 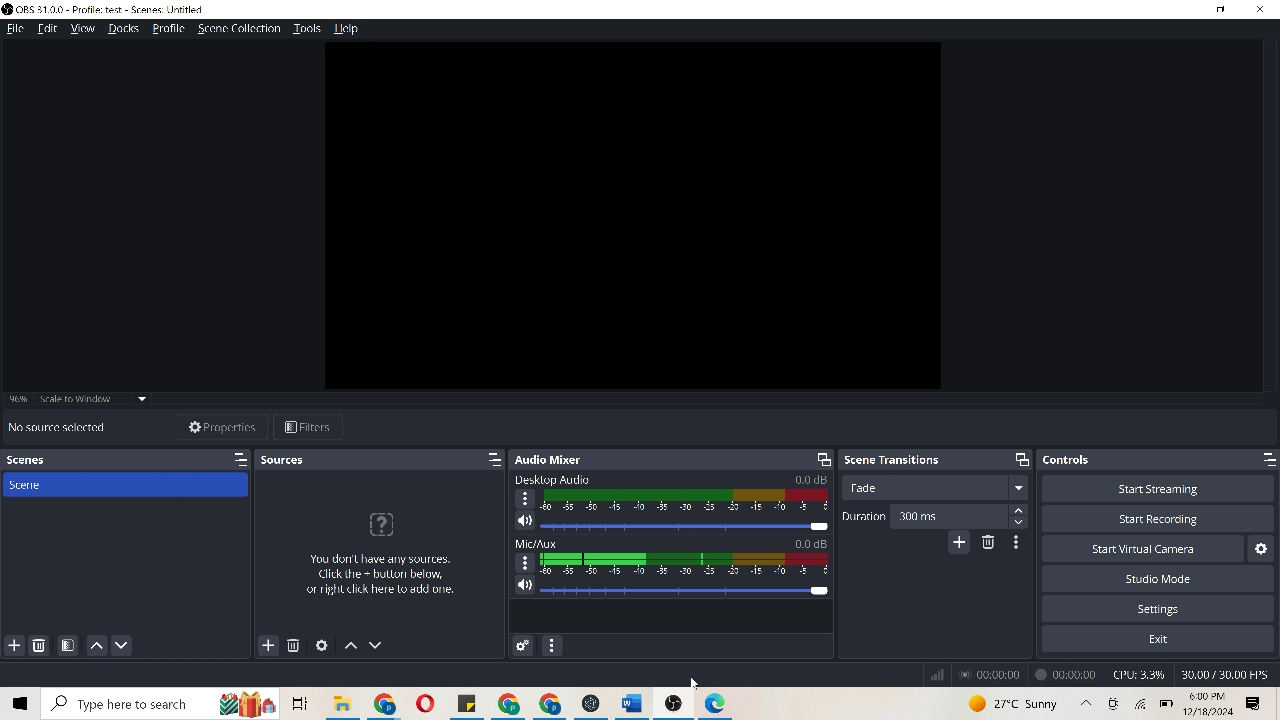 What do you see at coordinates (717, 701) in the screenshot?
I see `icon` at bounding box center [717, 701].